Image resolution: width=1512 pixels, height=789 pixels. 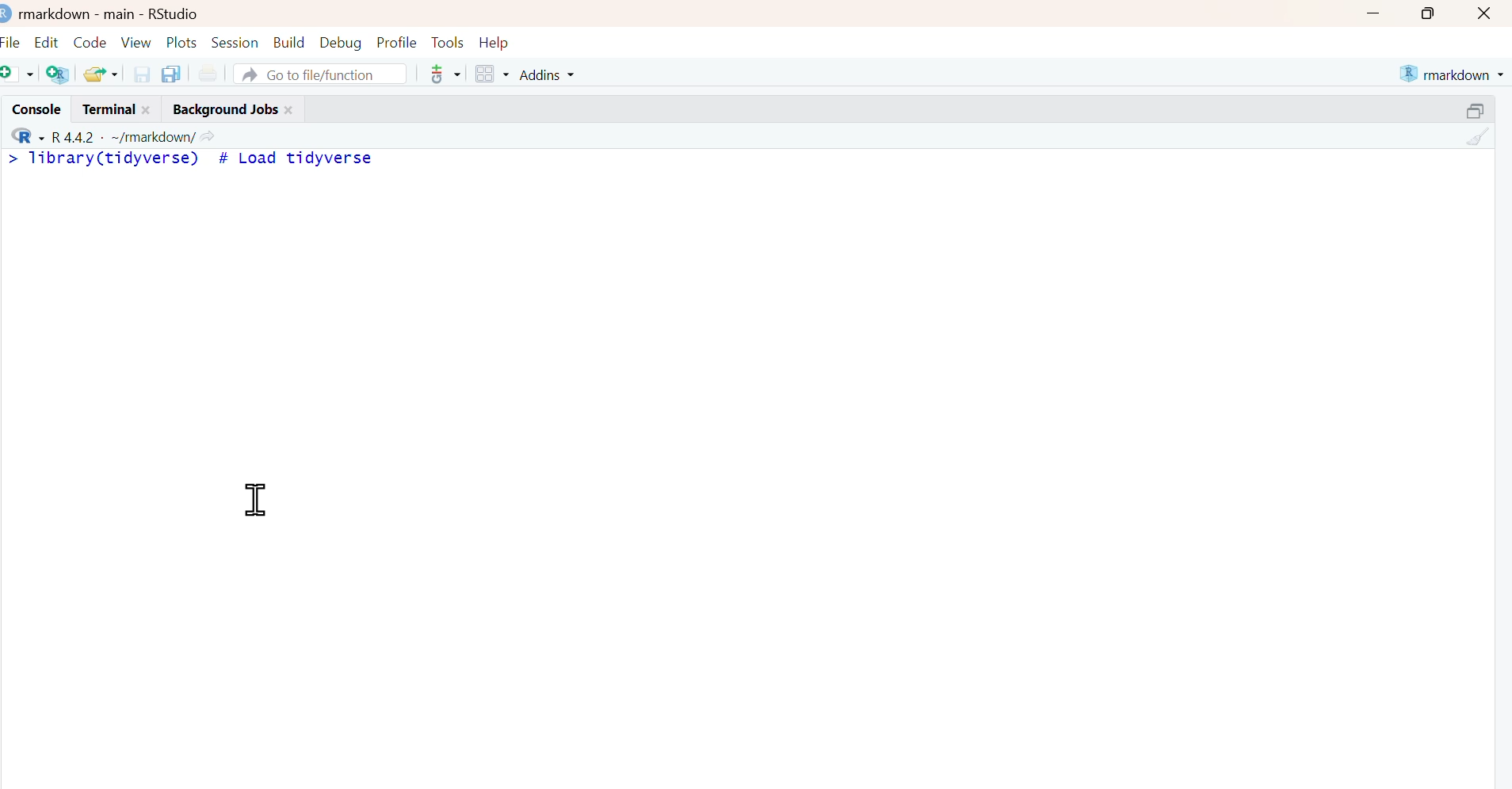 What do you see at coordinates (1480, 108) in the screenshot?
I see `resize` at bounding box center [1480, 108].